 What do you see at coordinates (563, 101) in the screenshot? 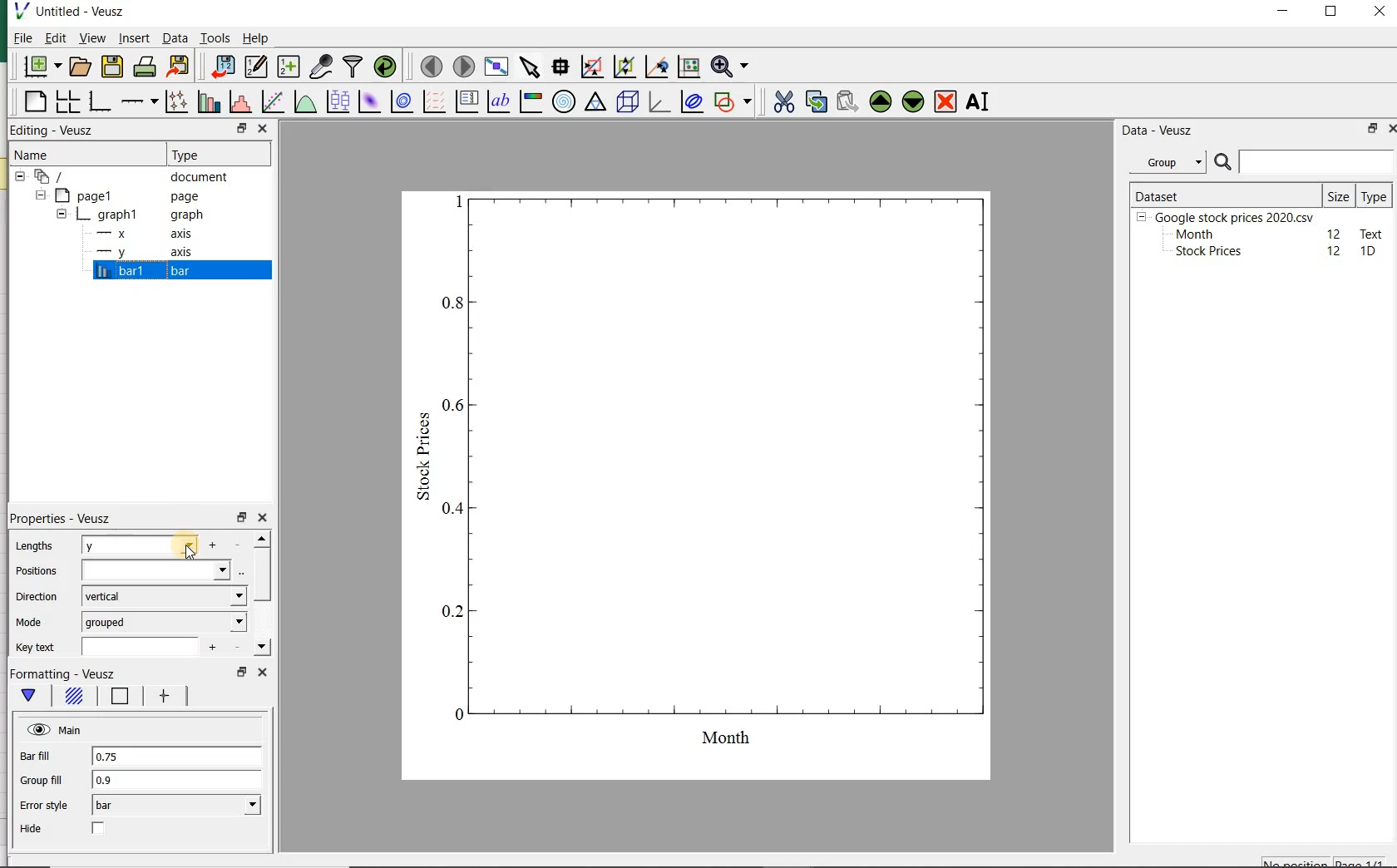
I see `polar graph` at bounding box center [563, 101].